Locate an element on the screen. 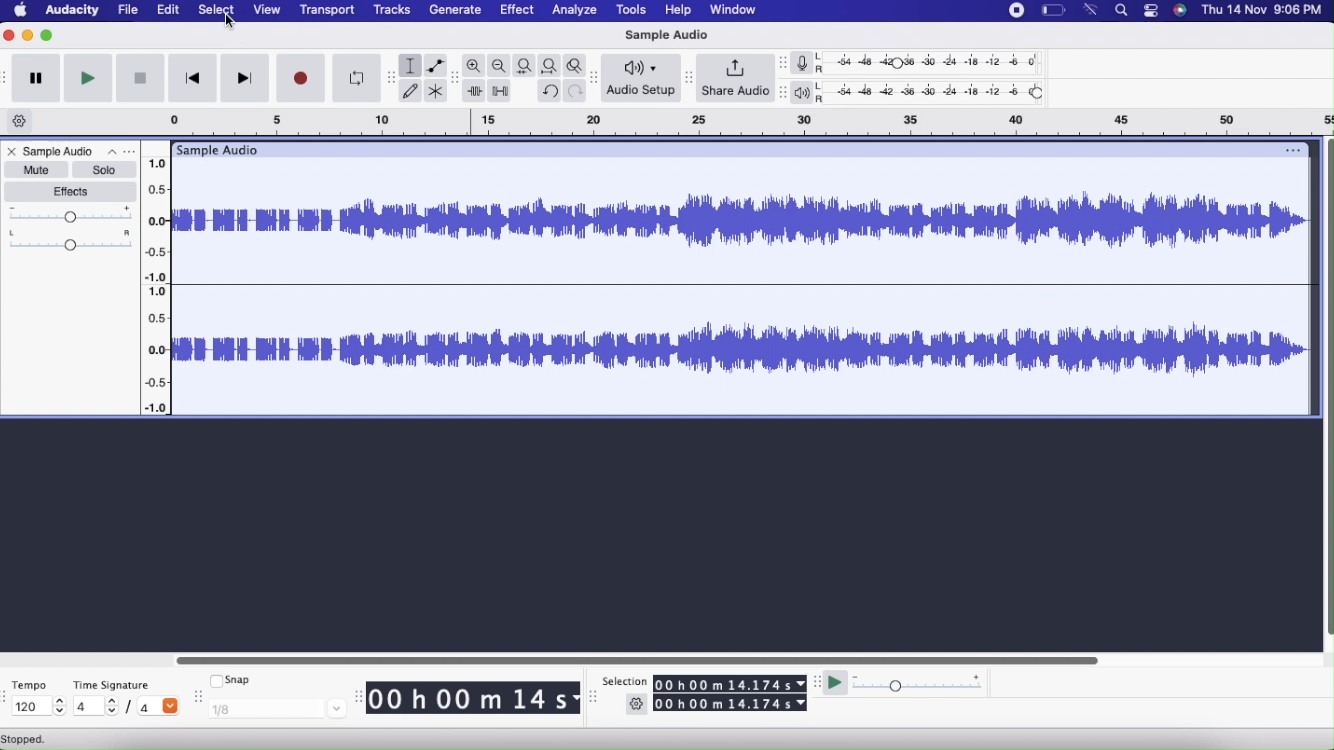 The image size is (1334, 750). Record meter is located at coordinates (808, 62).